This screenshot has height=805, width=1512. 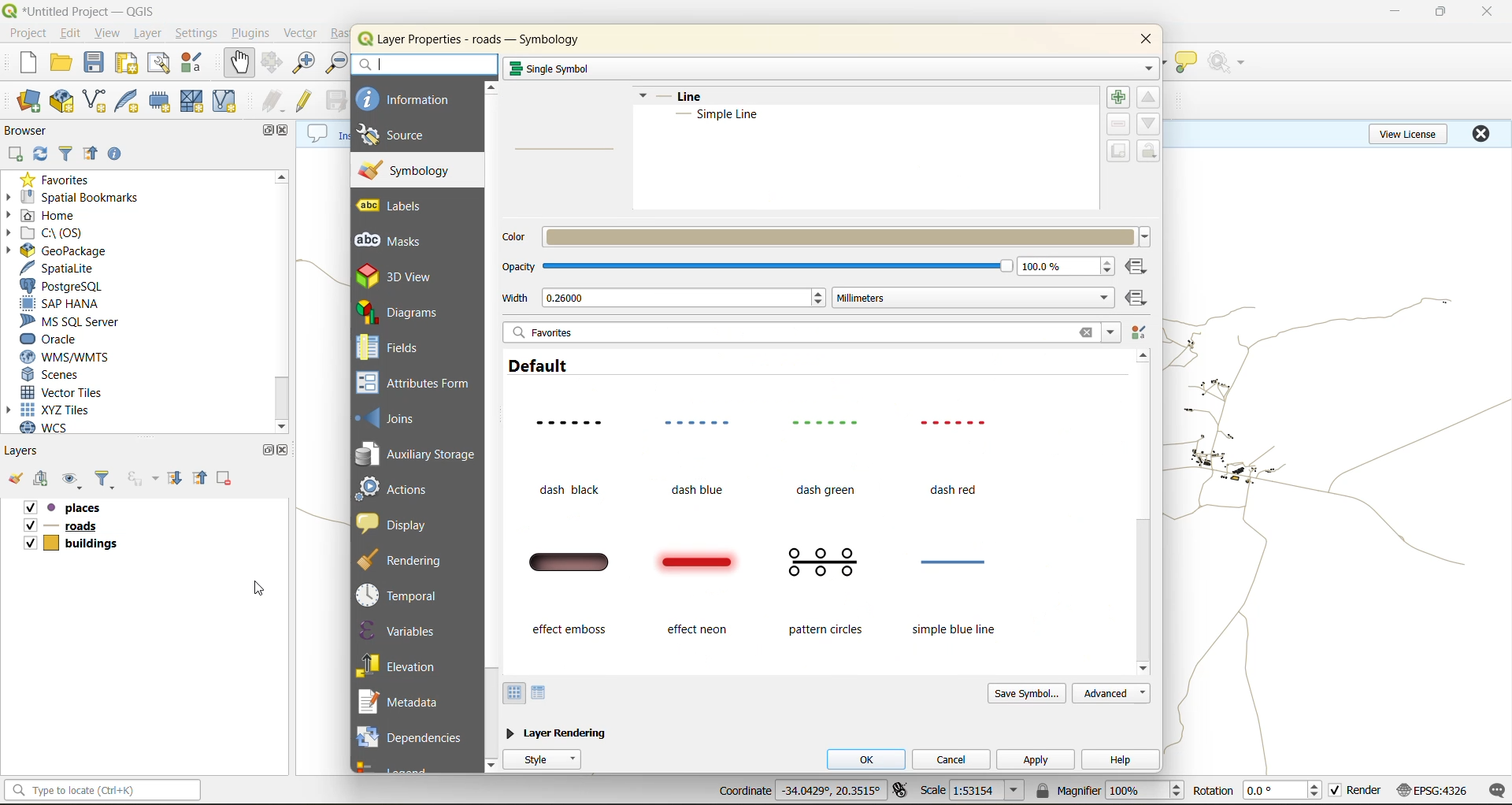 What do you see at coordinates (225, 102) in the screenshot?
I see `virtual layer` at bounding box center [225, 102].